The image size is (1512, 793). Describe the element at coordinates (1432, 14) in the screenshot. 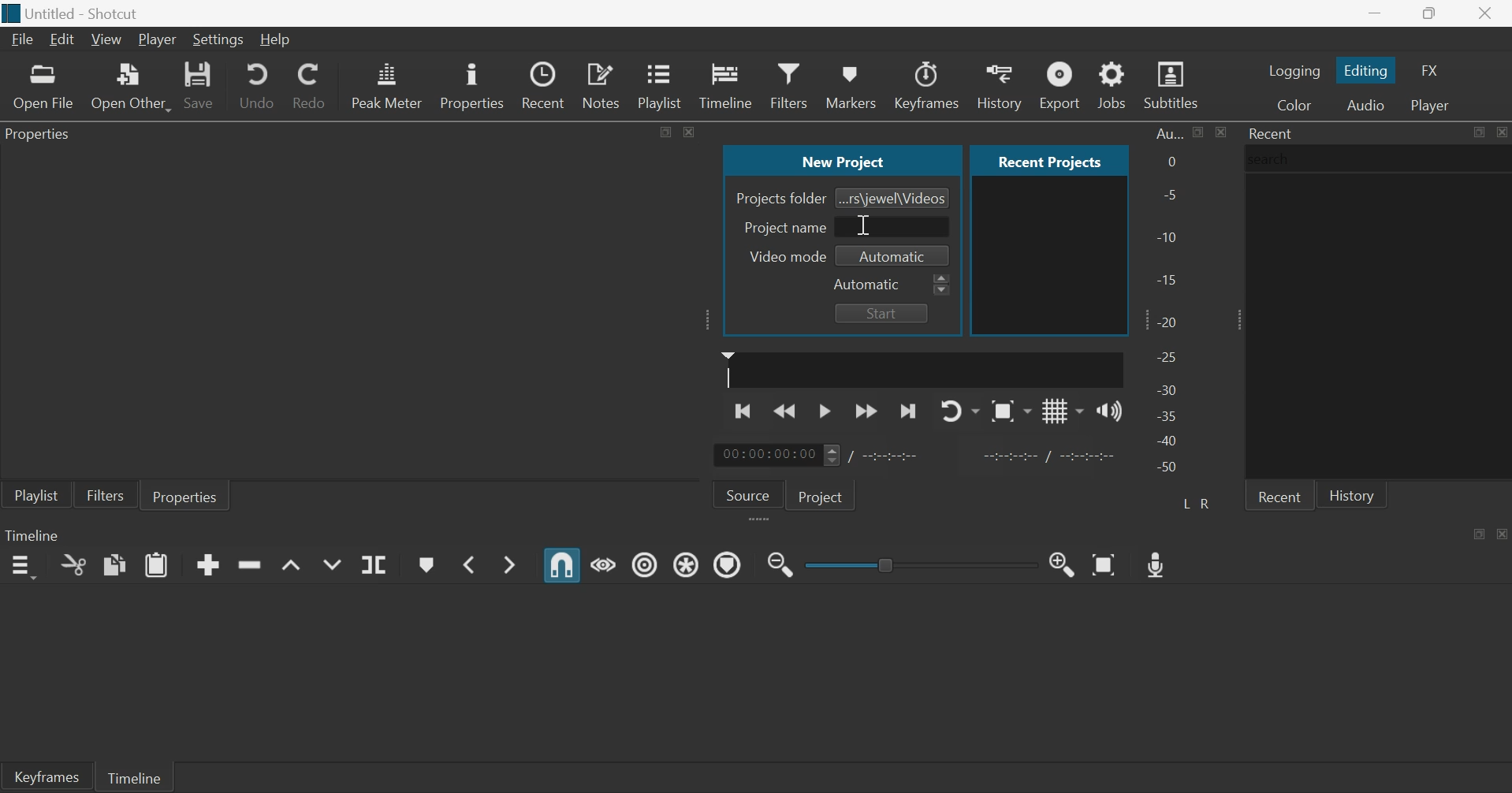

I see `Maximize` at that location.